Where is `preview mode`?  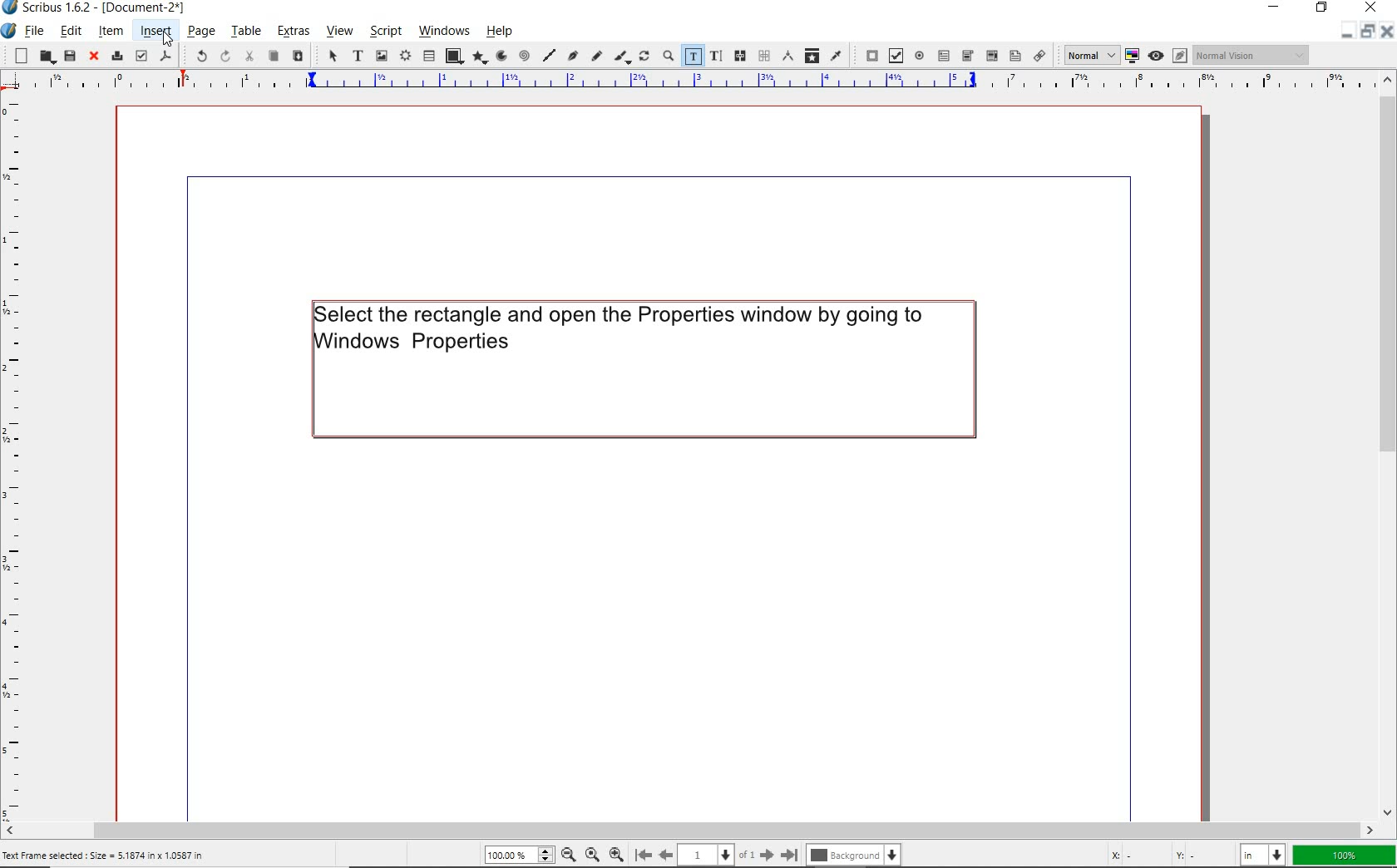 preview mode is located at coordinates (1167, 56).